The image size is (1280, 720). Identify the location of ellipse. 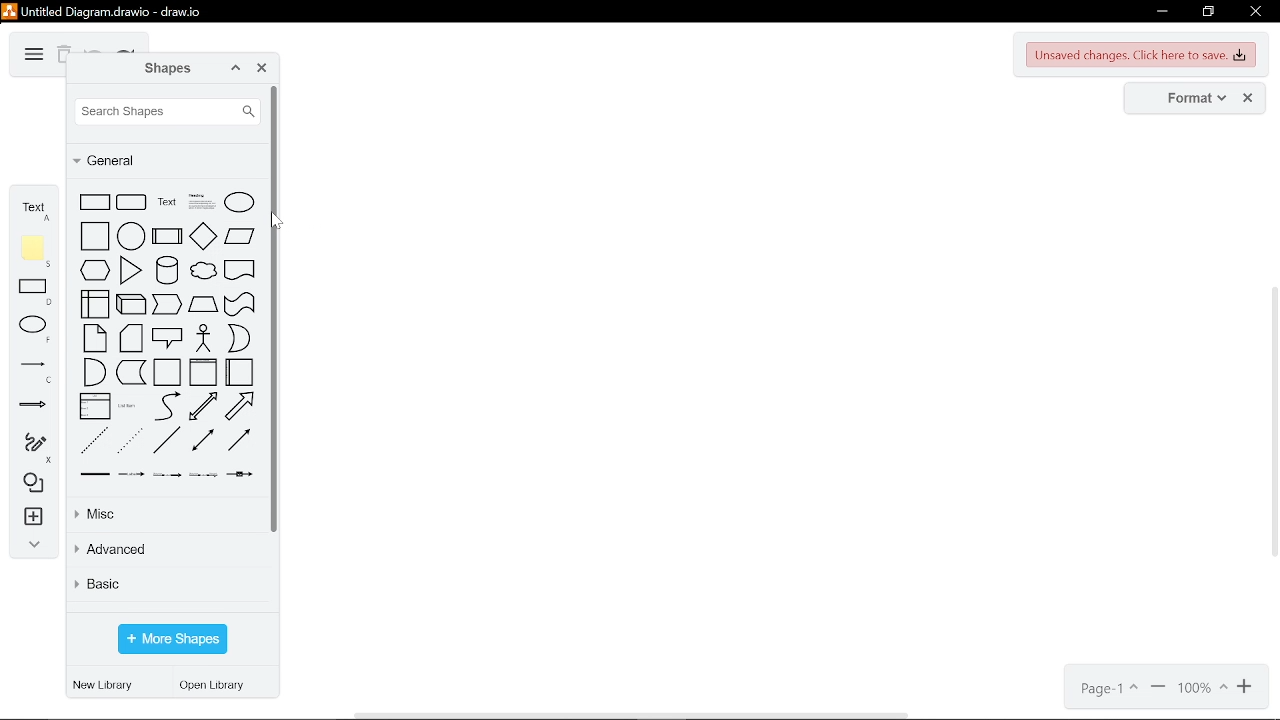
(36, 329).